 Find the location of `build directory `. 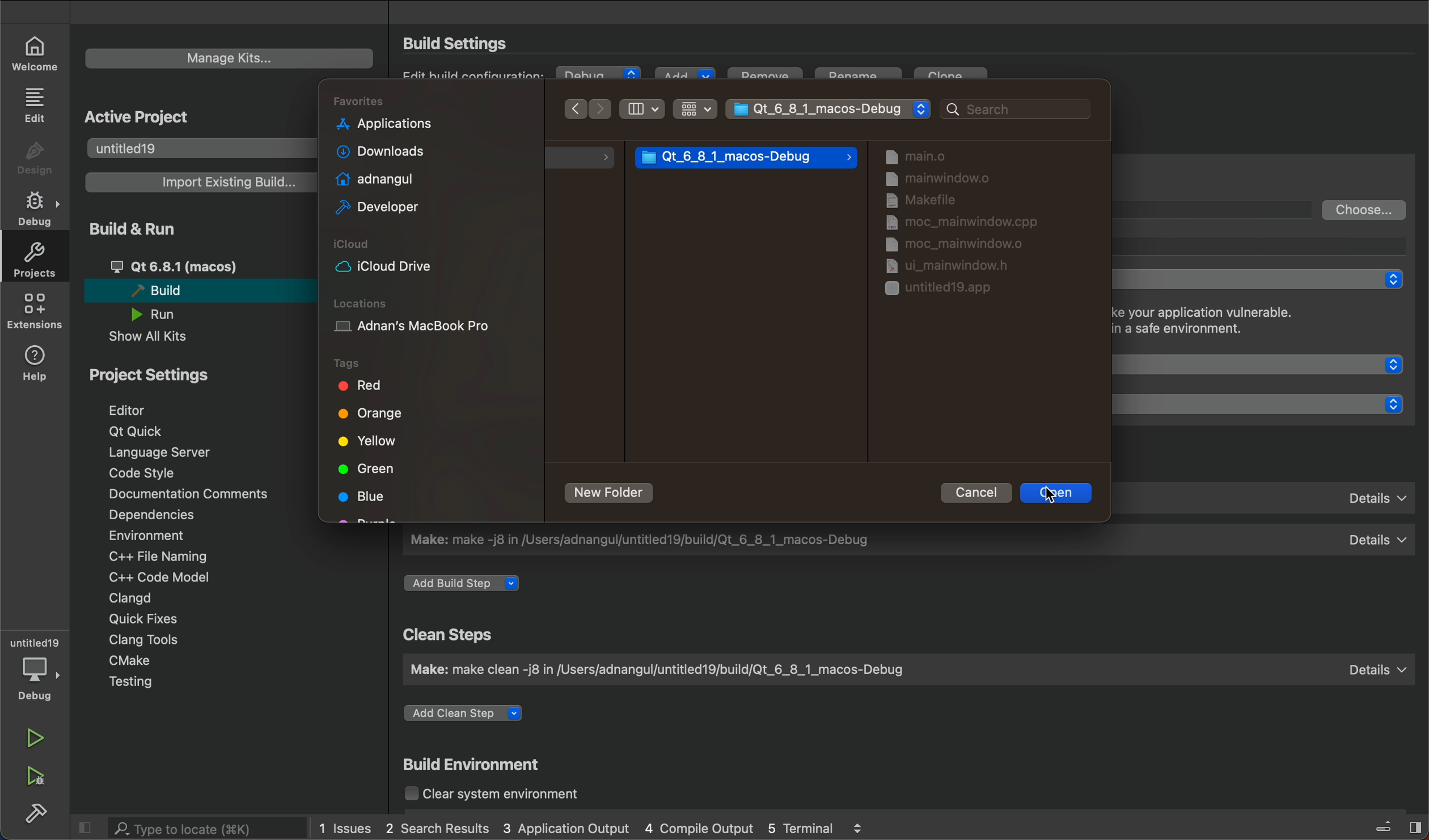

build directory  is located at coordinates (1219, 209).